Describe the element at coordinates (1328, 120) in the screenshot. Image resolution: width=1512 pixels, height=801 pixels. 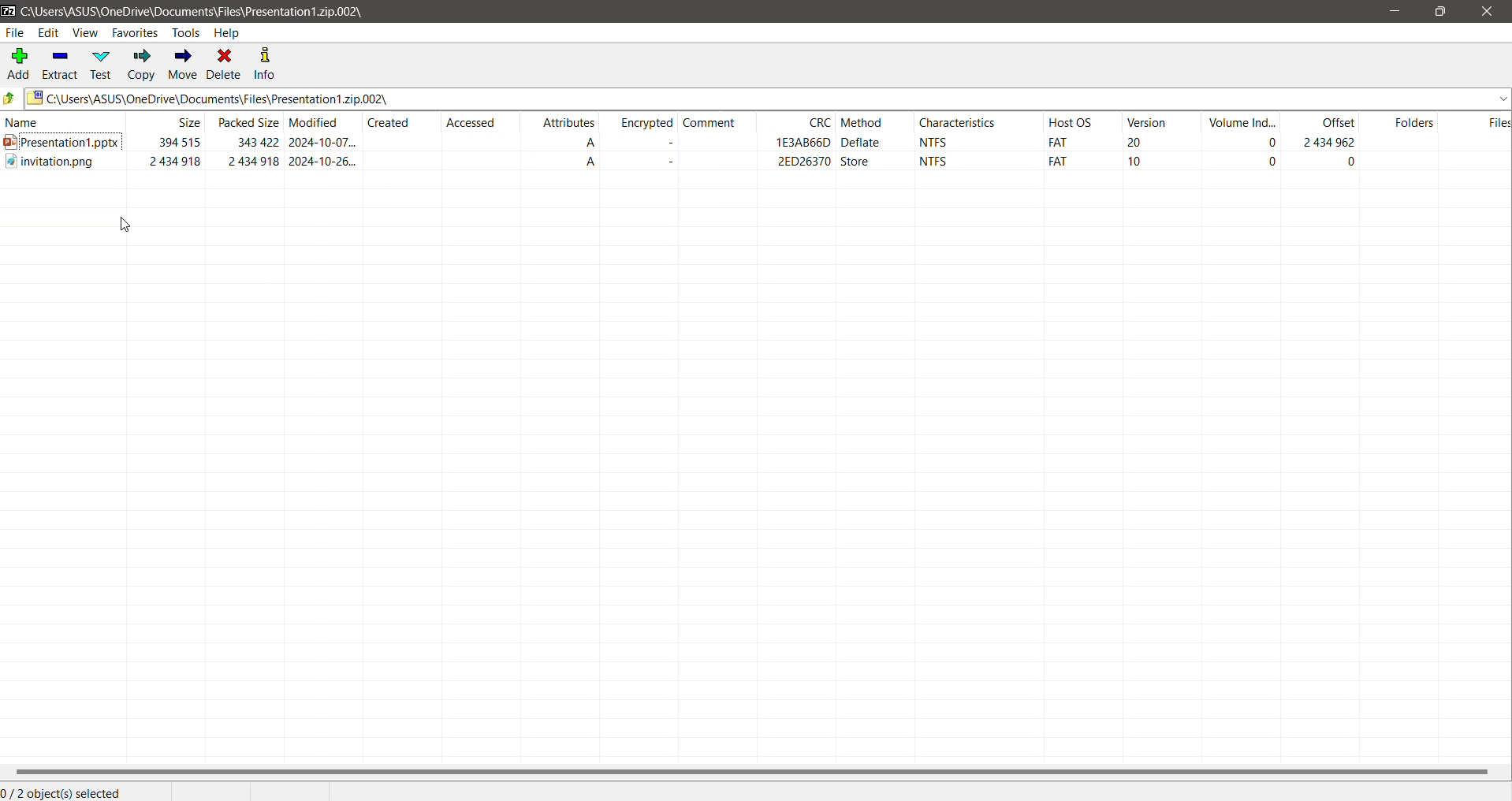
I see `Offset` at that location.